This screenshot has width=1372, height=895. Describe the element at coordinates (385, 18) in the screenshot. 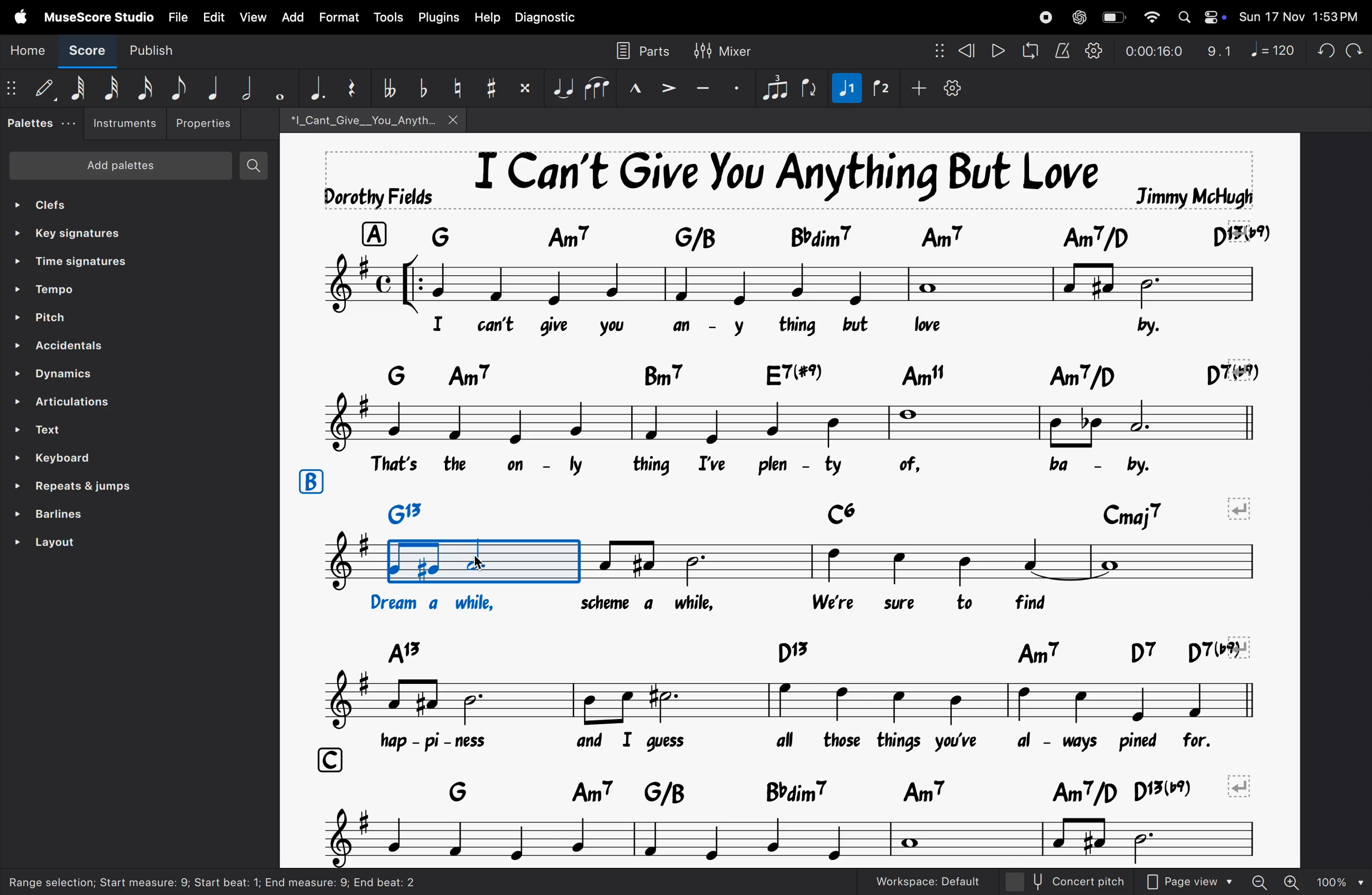

I see `tools` at that location.